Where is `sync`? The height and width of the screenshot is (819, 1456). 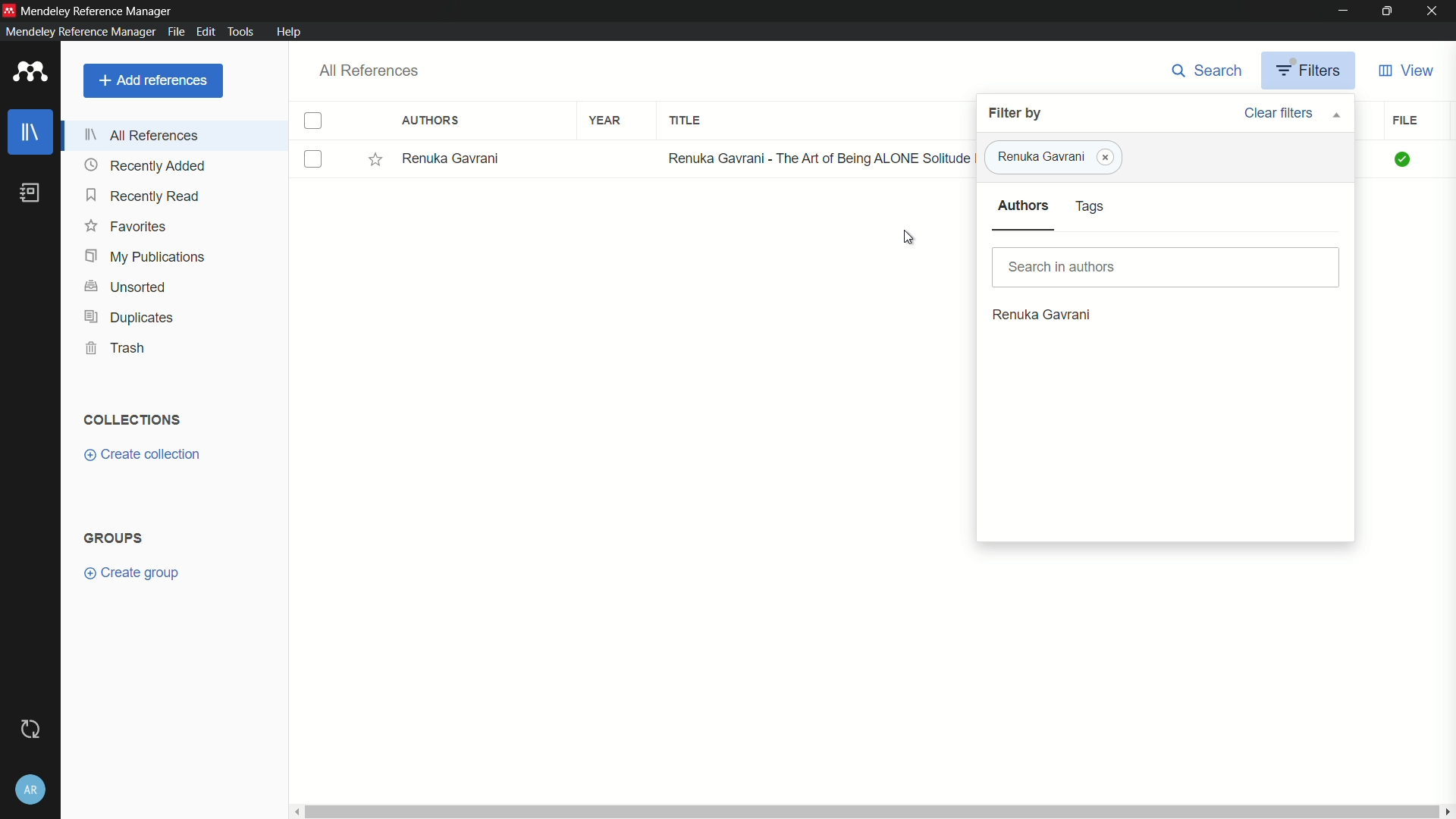 sync is located at coordinates (33, 730).